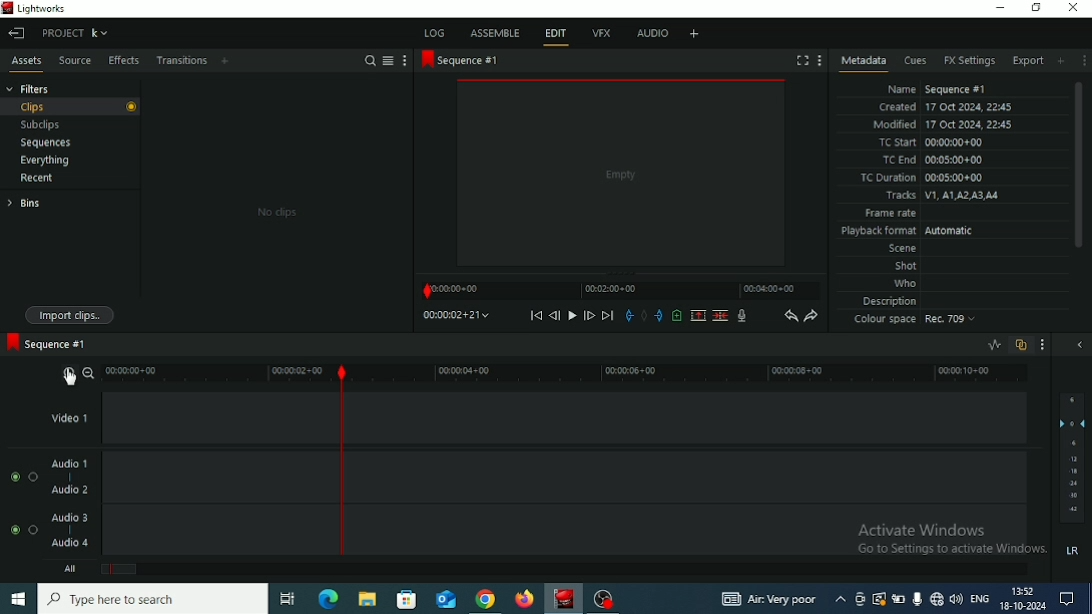 This screenshot has height=614, width=1092. I want to click on FX Settings, so click(969, 61).